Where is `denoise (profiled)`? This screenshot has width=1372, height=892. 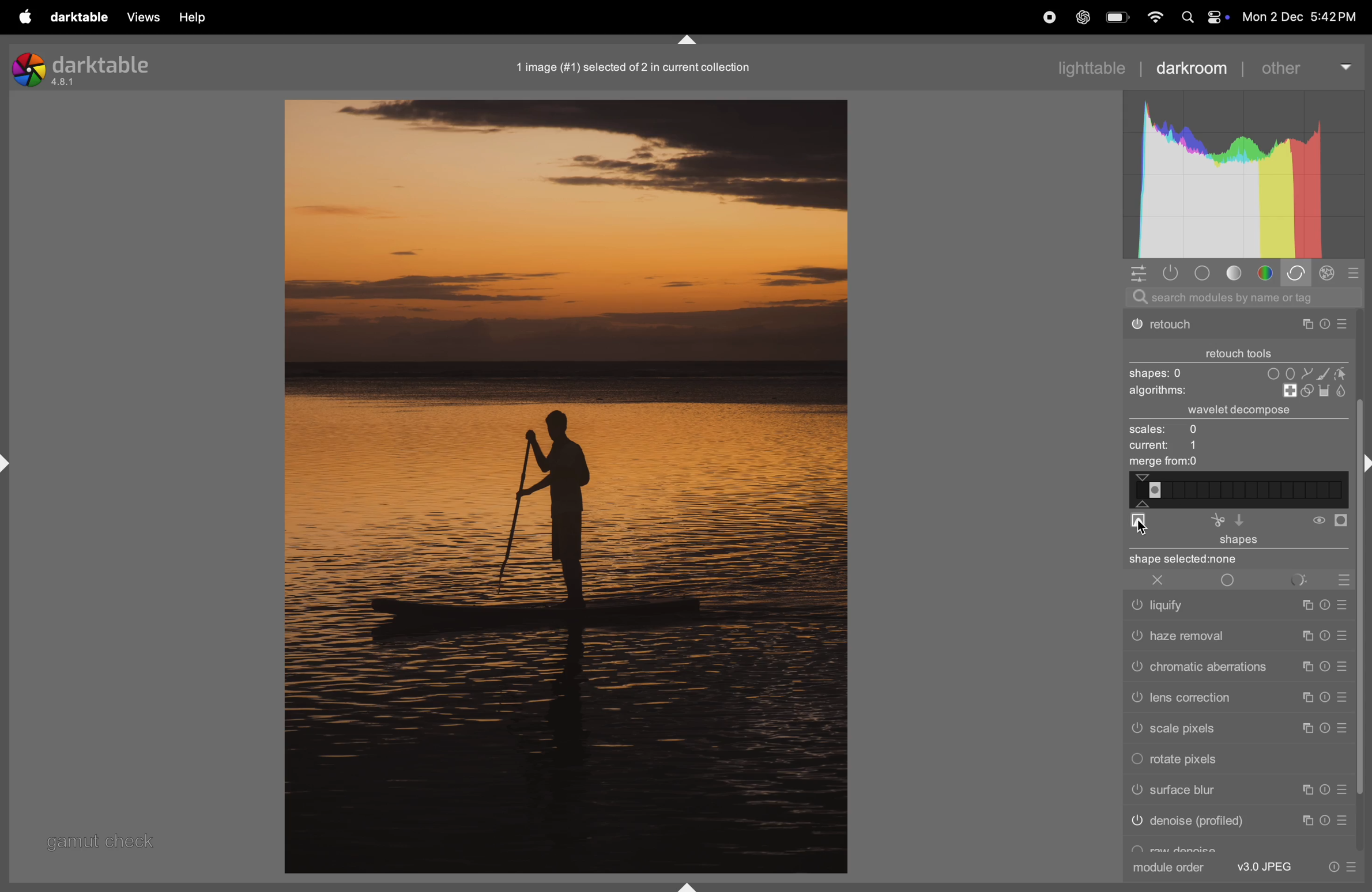
denoise (profiled) is located at coordinates (1242, 821).